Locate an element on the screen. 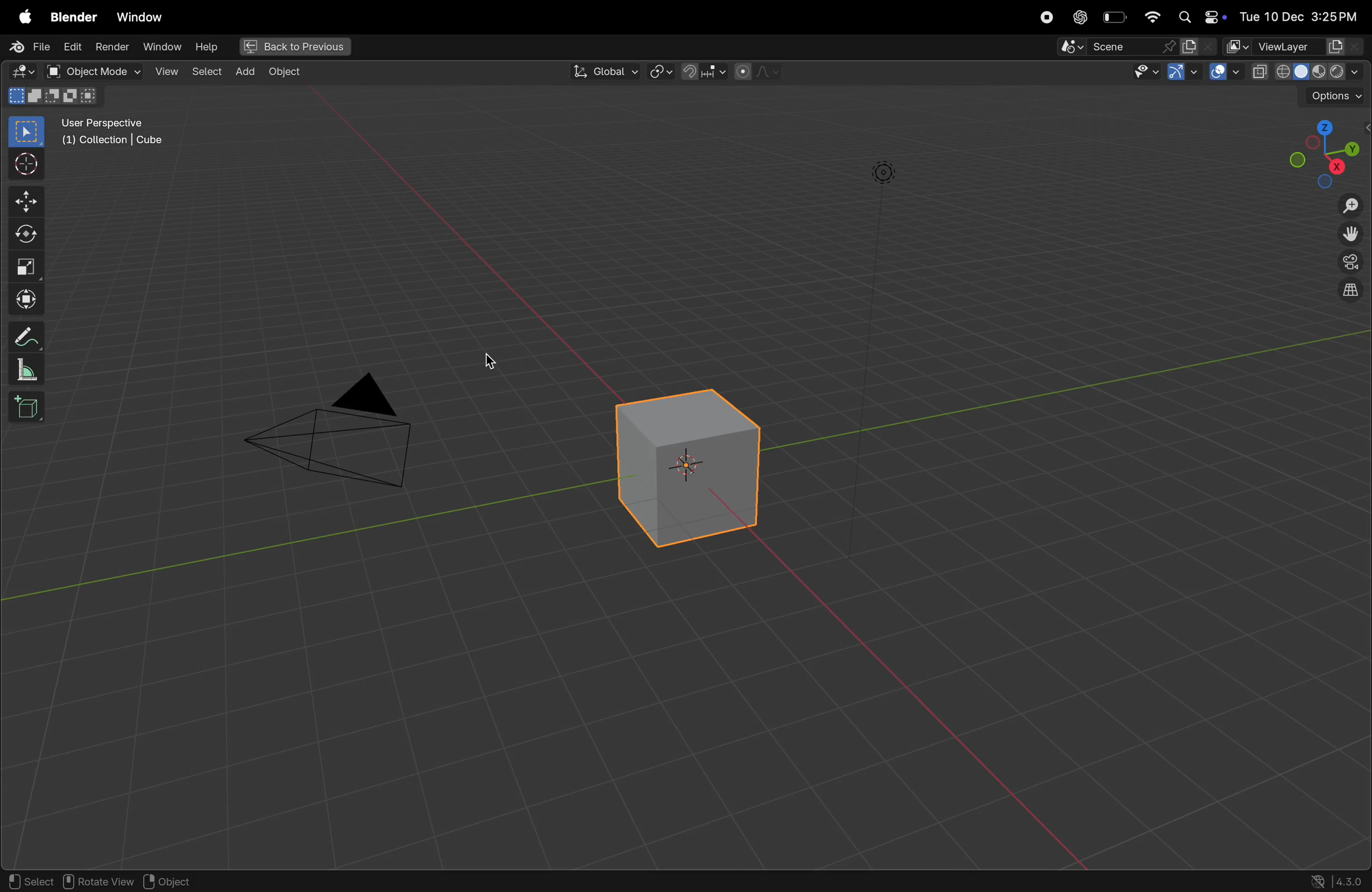 The width and height of the screenshot is (1372, 892). select is located at coordinates (206, 71).